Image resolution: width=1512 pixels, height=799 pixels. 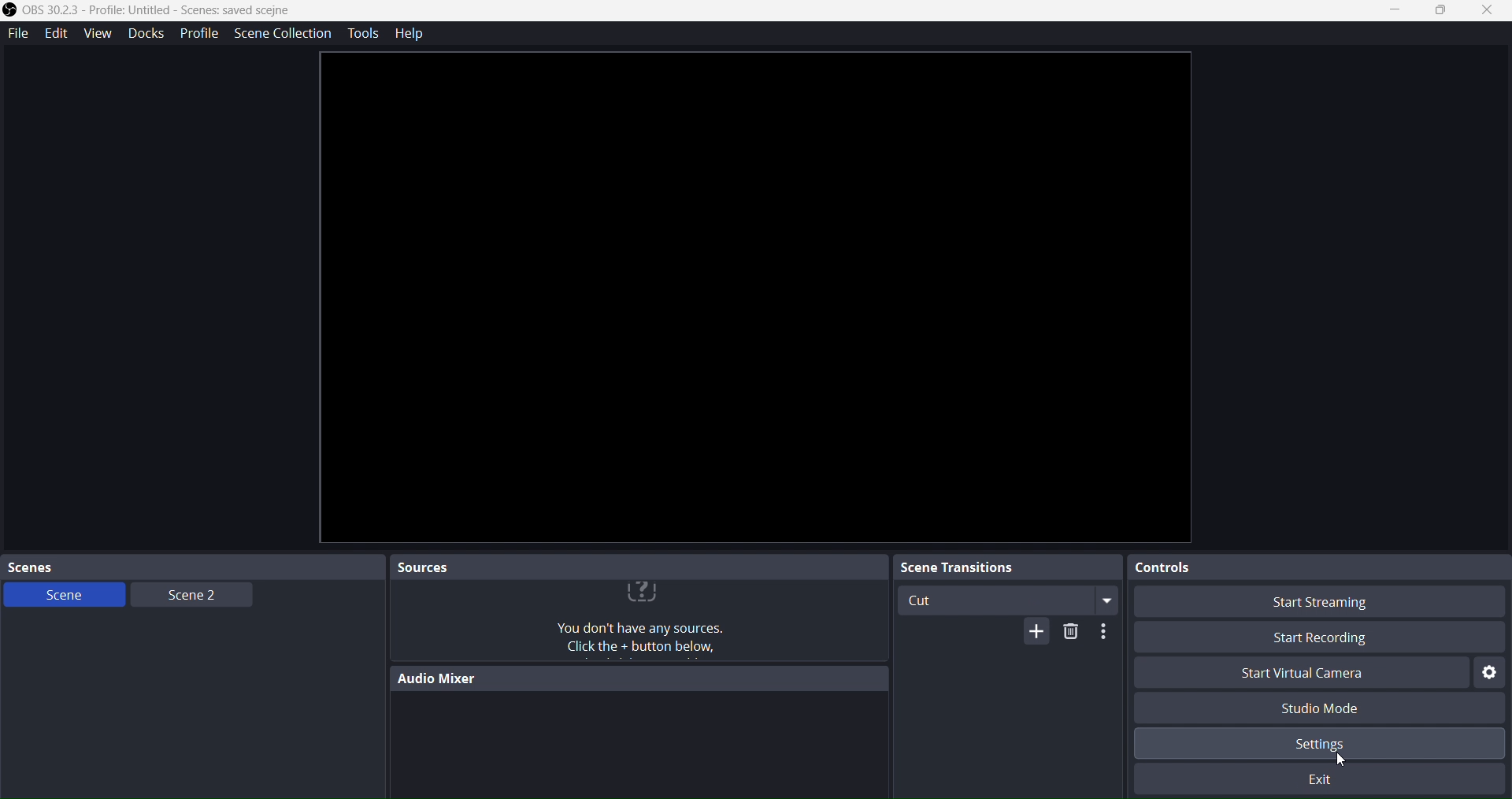 I want to click on View, so click(x=95, y=32).